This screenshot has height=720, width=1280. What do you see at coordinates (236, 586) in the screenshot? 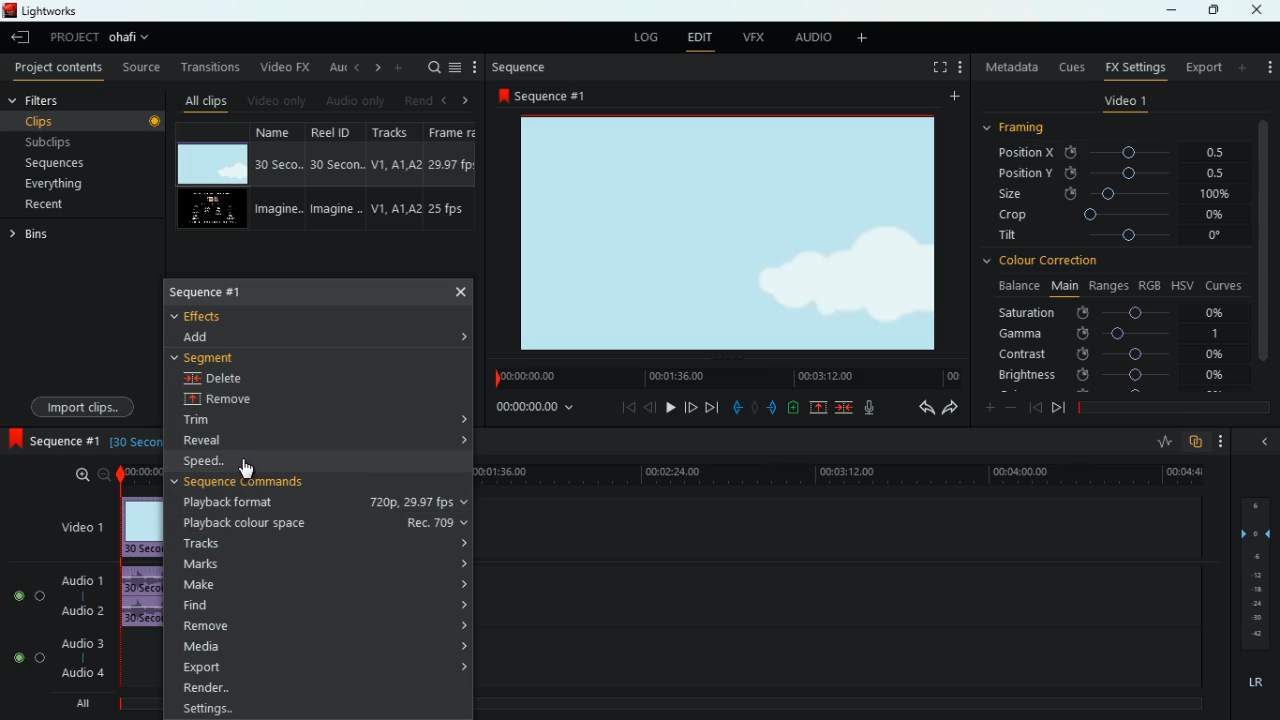
I see `make` at bounding box center [236, 586].